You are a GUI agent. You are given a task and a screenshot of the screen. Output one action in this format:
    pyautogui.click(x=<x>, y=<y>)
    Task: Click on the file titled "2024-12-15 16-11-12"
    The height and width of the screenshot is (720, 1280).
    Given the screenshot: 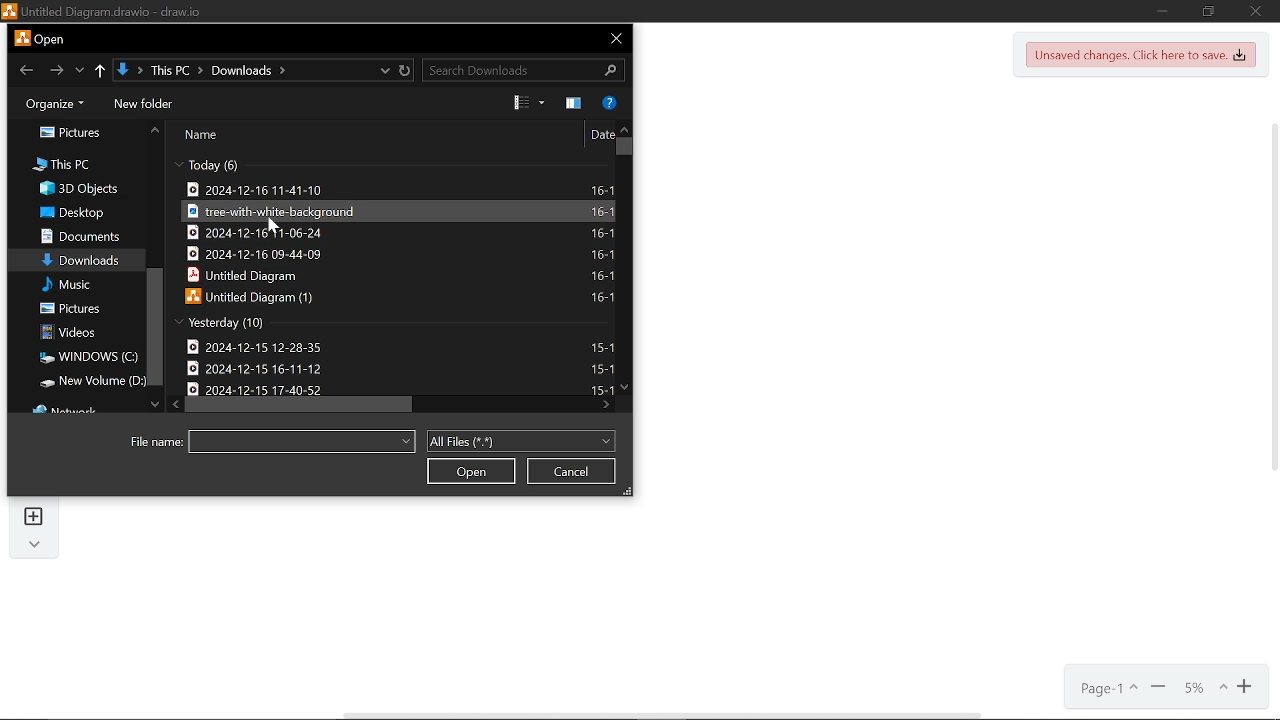 What is the action you would take?
    pyautogui.click(x=396, y=367)
    